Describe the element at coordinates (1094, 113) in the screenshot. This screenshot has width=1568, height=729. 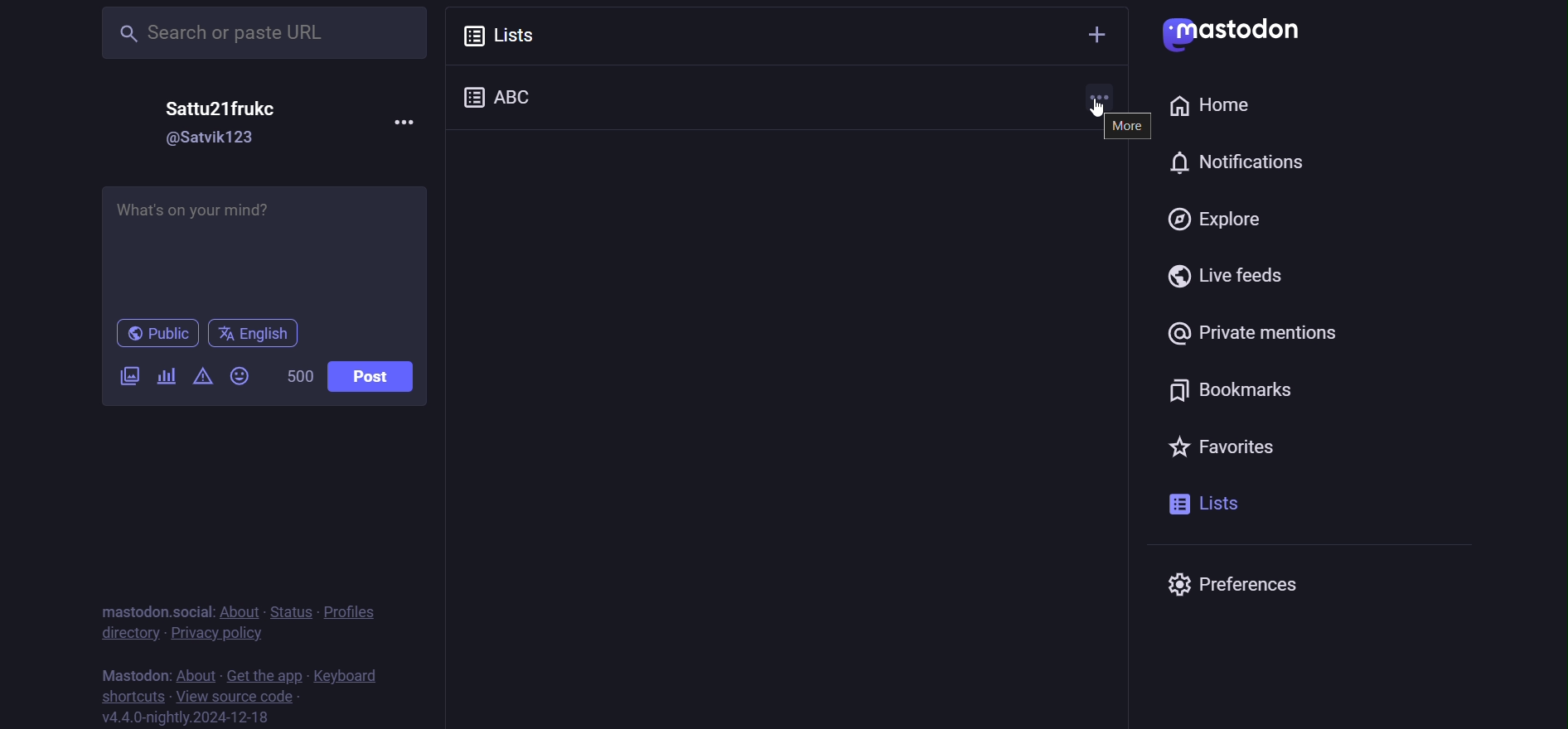
I see `cursor` at that location.